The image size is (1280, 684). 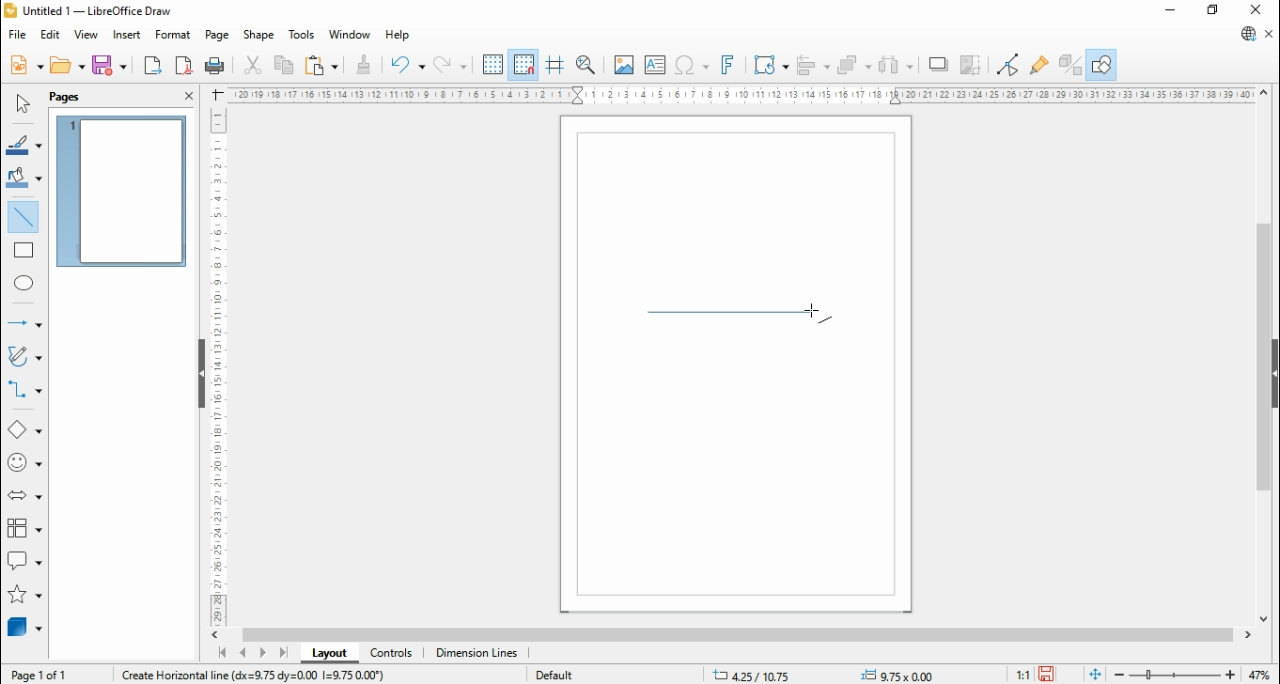 What do you see at coordinates (25, 627) in the screenshot?
I see `3D objects` at bounding box center [25, 627].